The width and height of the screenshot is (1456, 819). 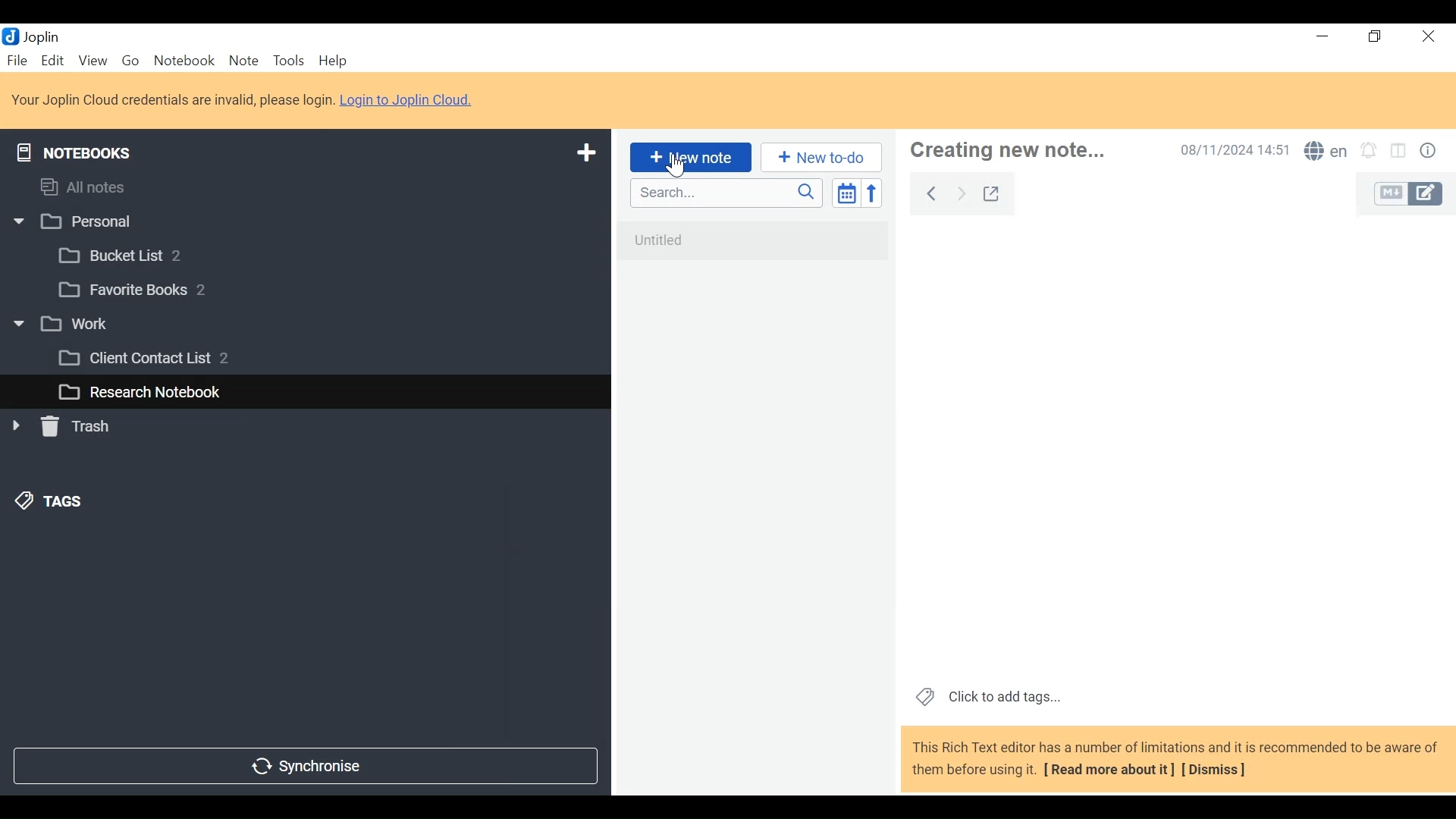 What do you see at coordinates (335, 61) in the screenshot?
I see `Help` at bounding box center [335, 61].